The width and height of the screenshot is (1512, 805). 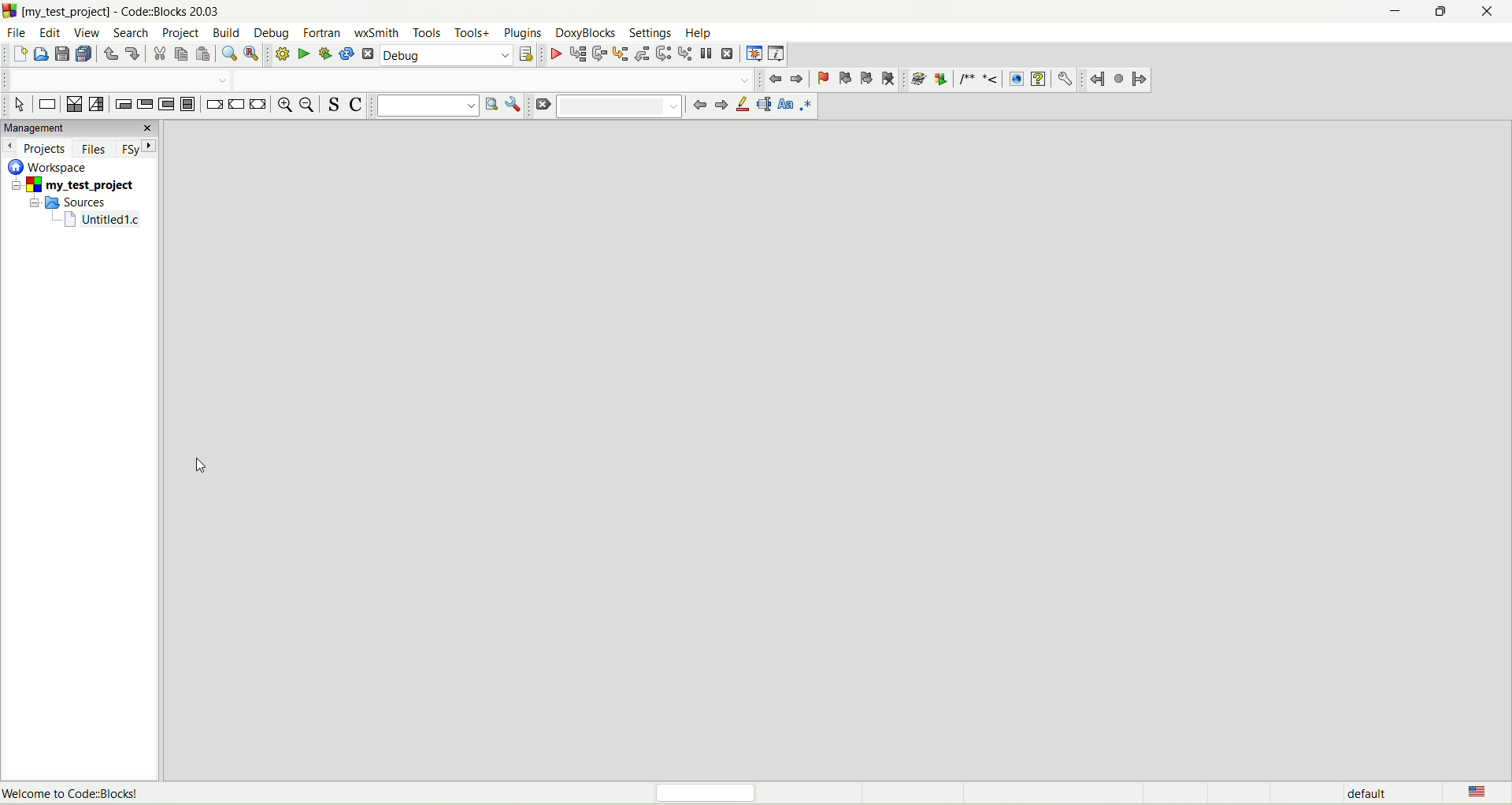 What do you see at coordinates (72, 106) in the screenshot?
I see `decision` at bounding box center [72, 106].